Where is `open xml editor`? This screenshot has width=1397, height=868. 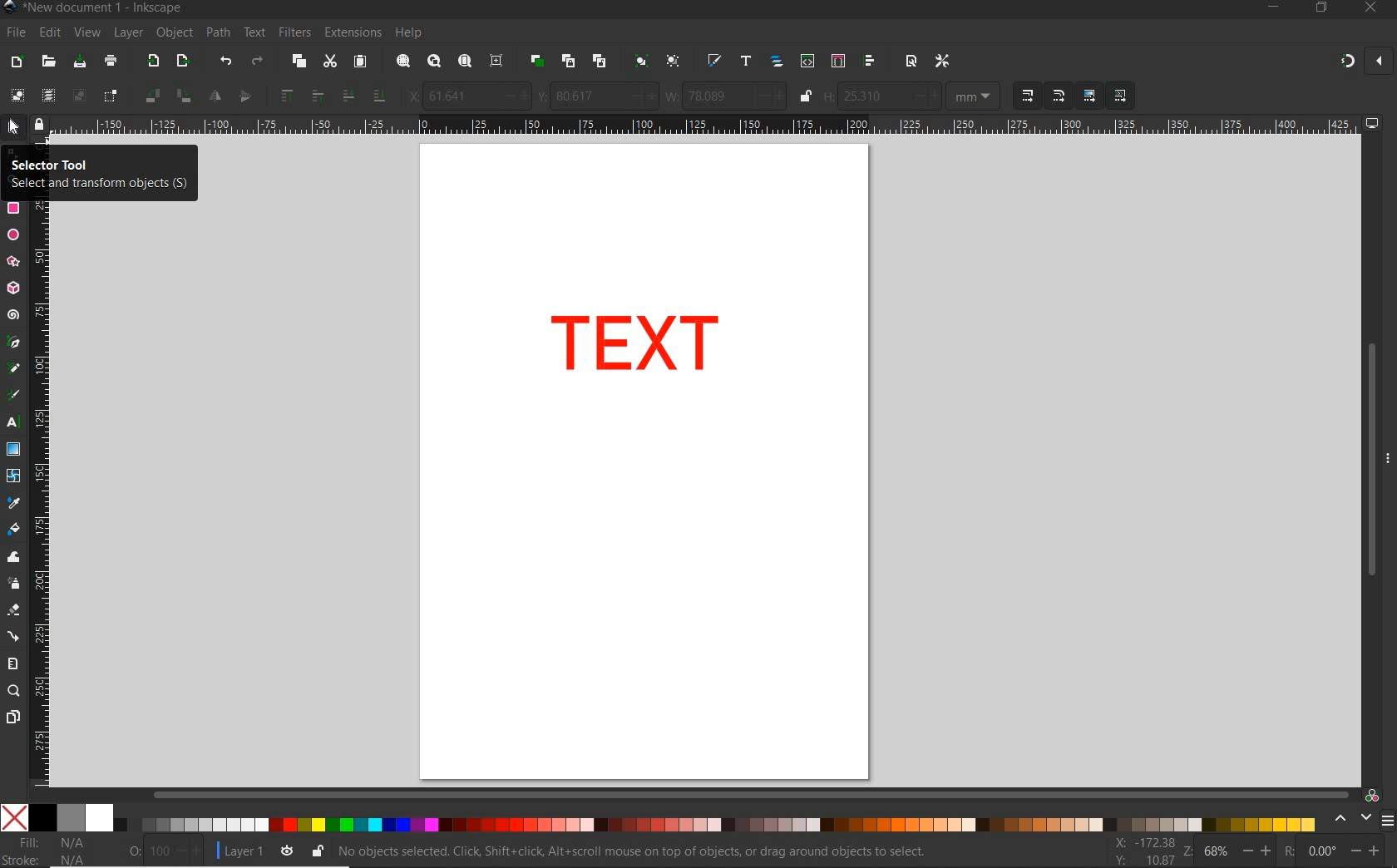 open xml editor is located at coordinates (806, 62).